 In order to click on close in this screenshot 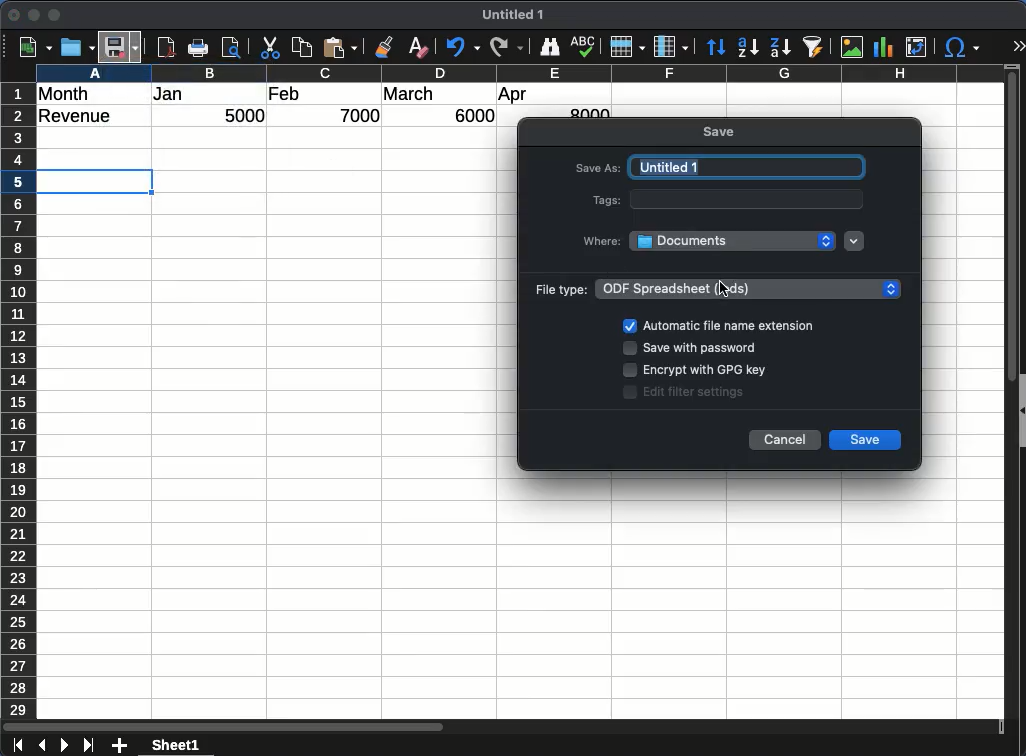, I will do `click(15, 15)`.